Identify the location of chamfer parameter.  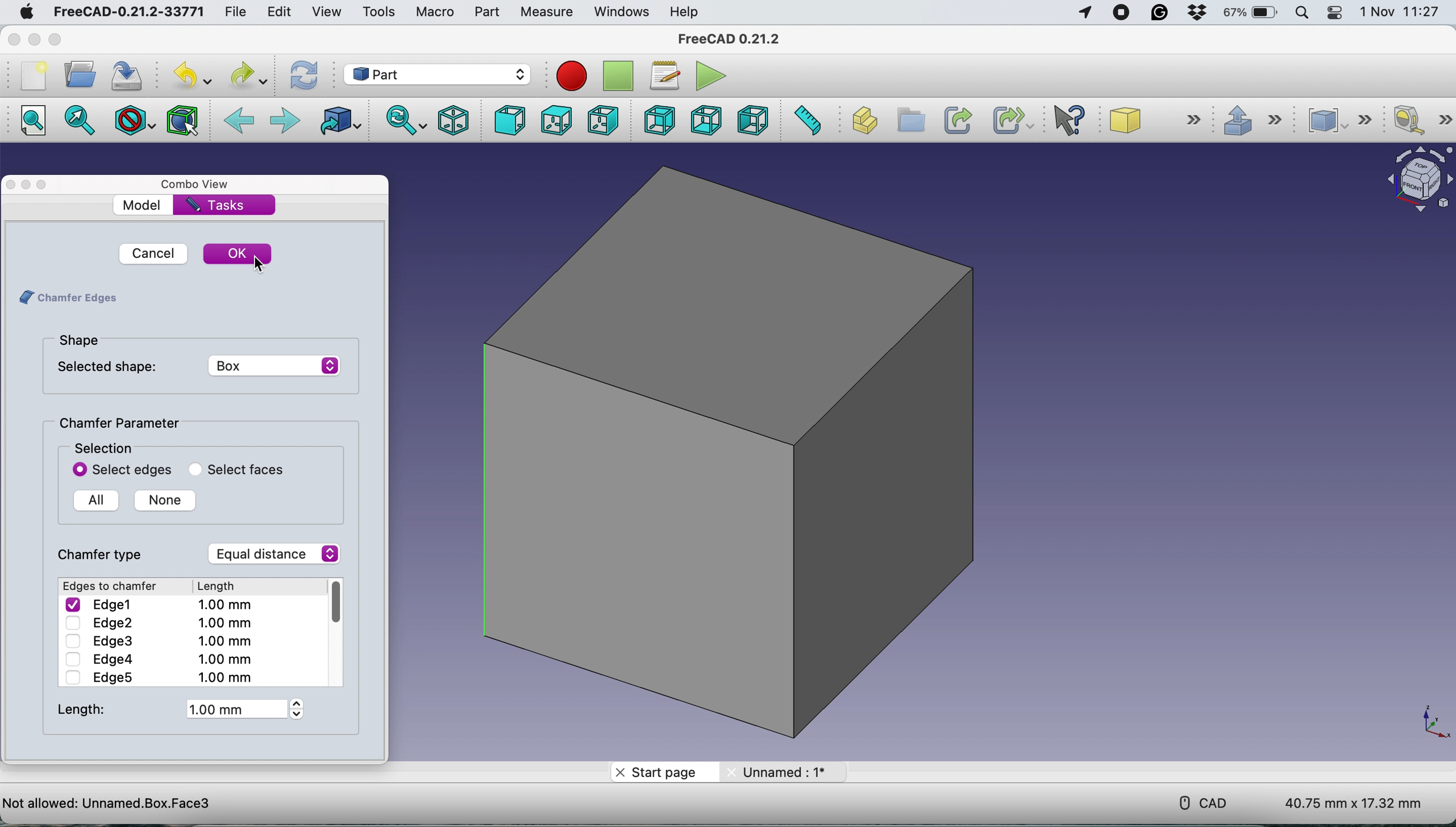
(130, 420).